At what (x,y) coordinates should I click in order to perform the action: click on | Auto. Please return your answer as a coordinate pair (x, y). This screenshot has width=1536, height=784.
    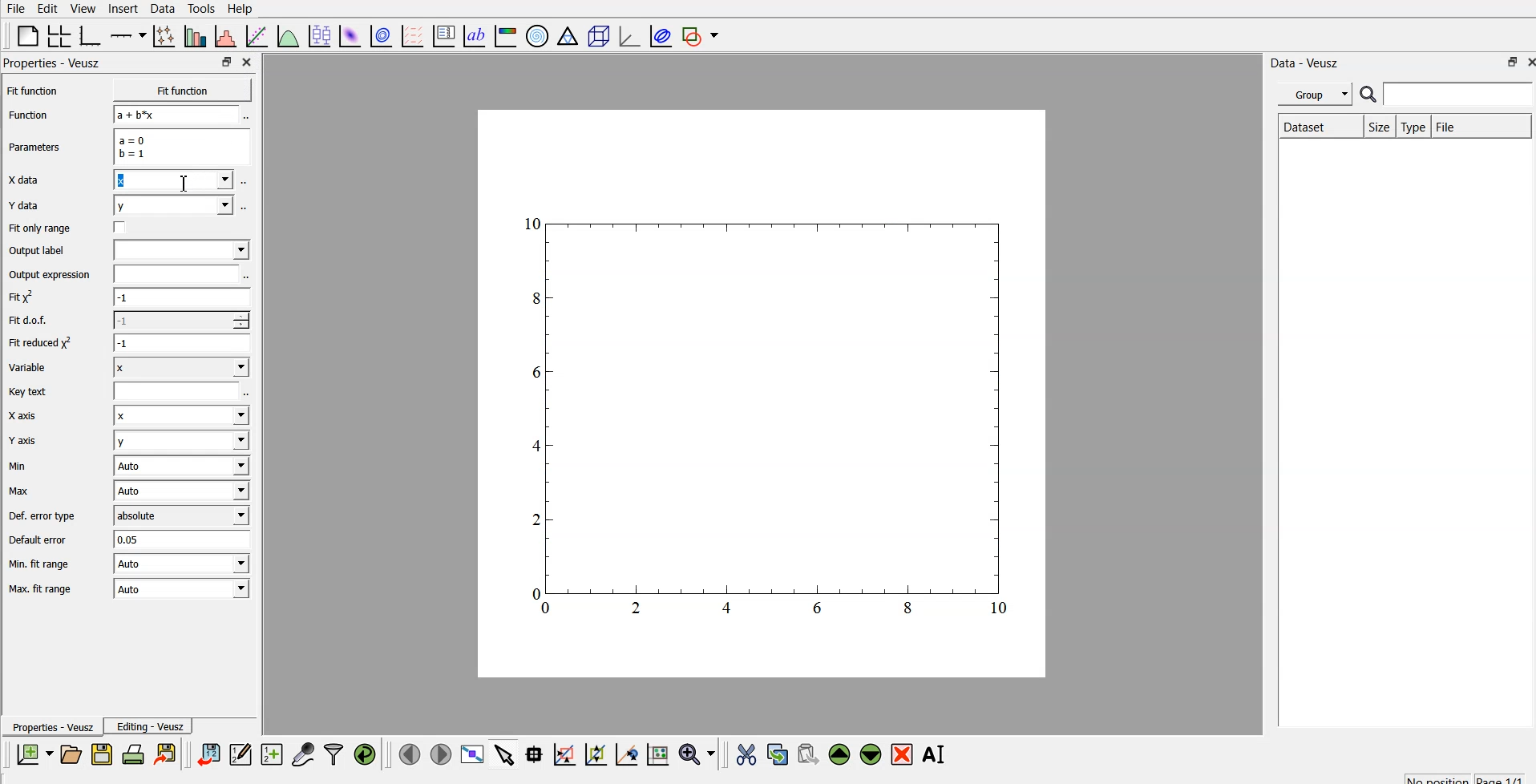
    Looking at the image, I should click on (184, 466).